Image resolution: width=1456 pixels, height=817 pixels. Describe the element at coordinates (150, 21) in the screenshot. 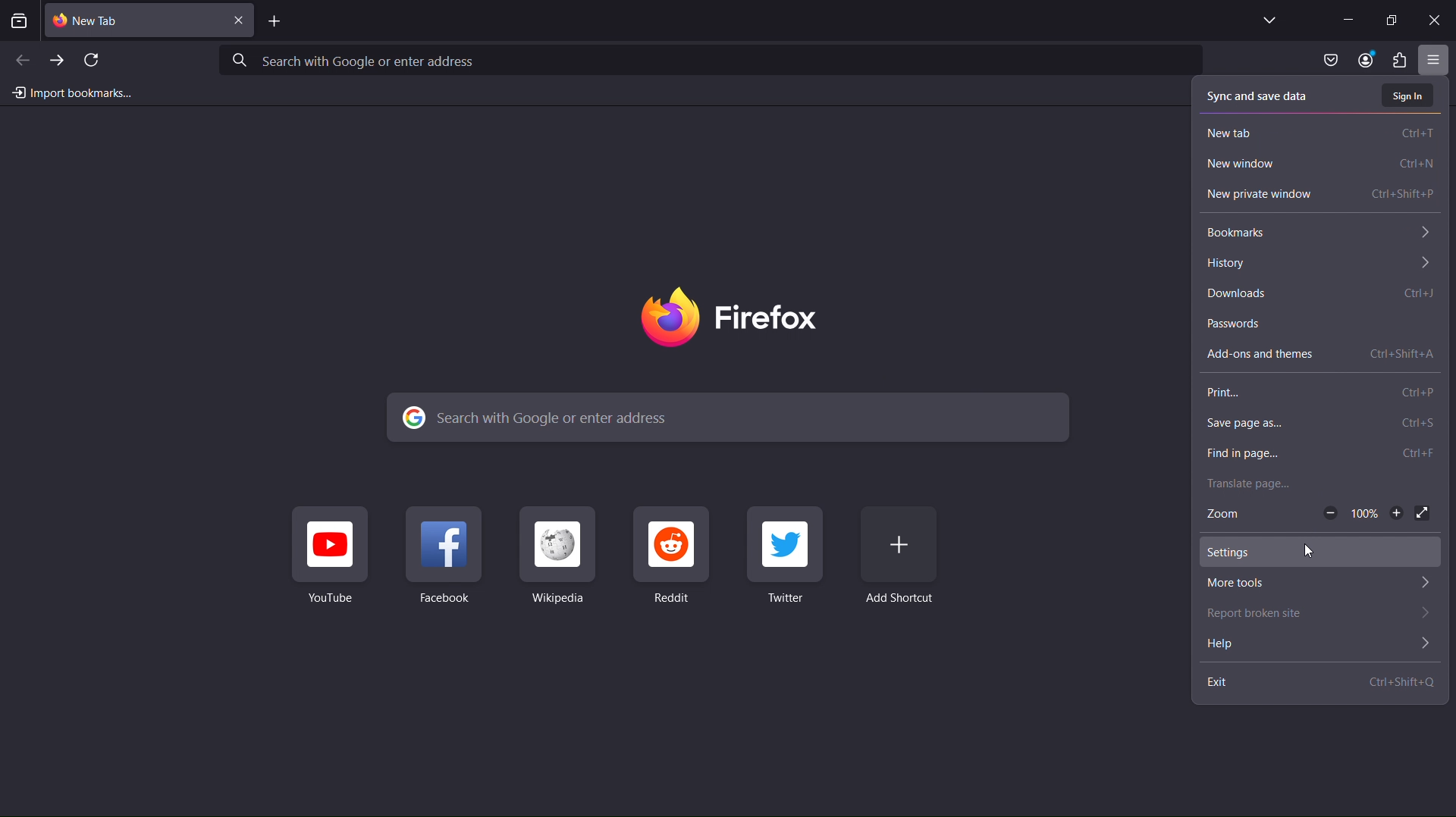

I see `New Tab` at that location.